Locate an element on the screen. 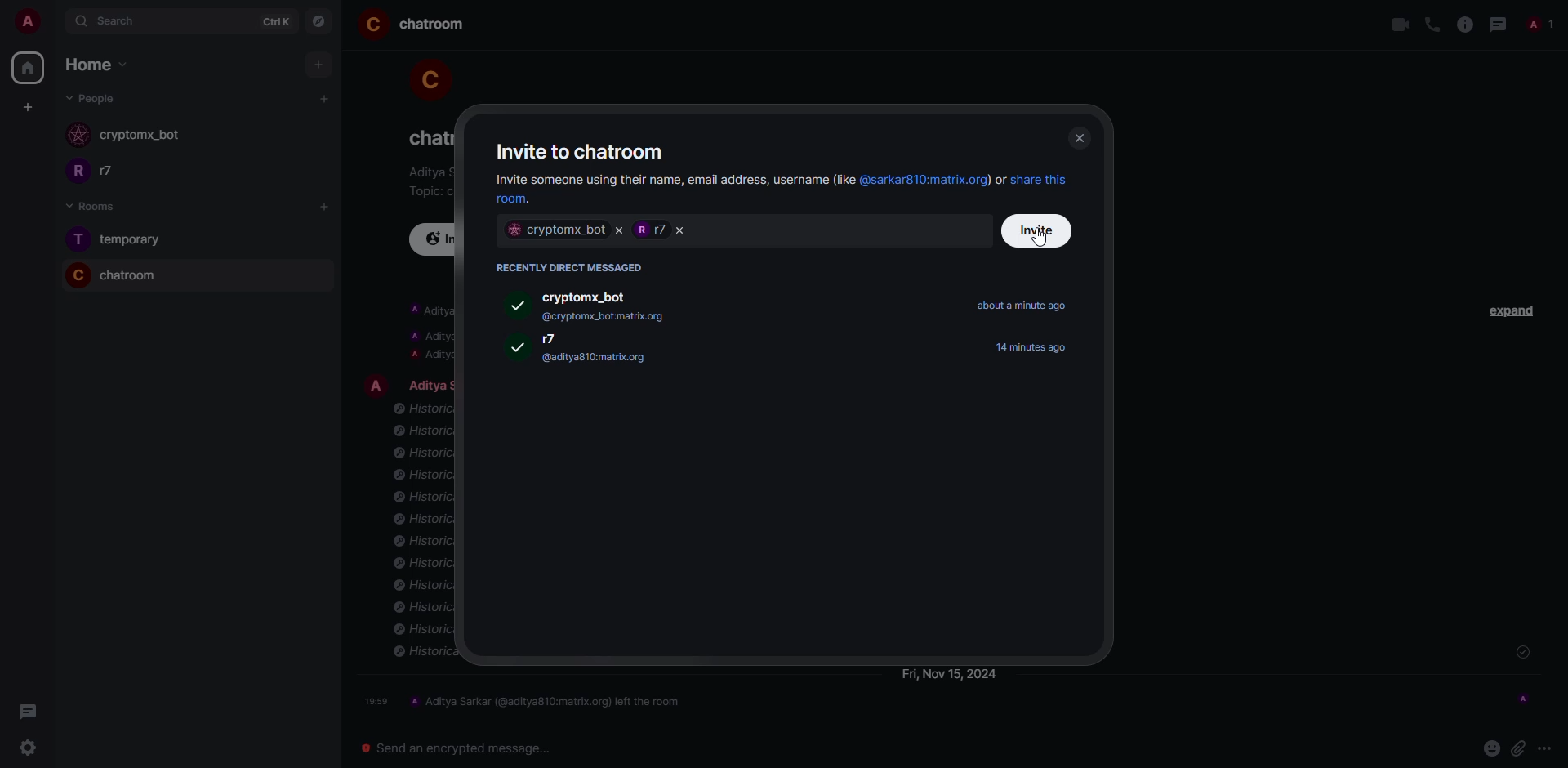 This screenshot has height=768, width=1568. close is located at coordinates (680, 230).